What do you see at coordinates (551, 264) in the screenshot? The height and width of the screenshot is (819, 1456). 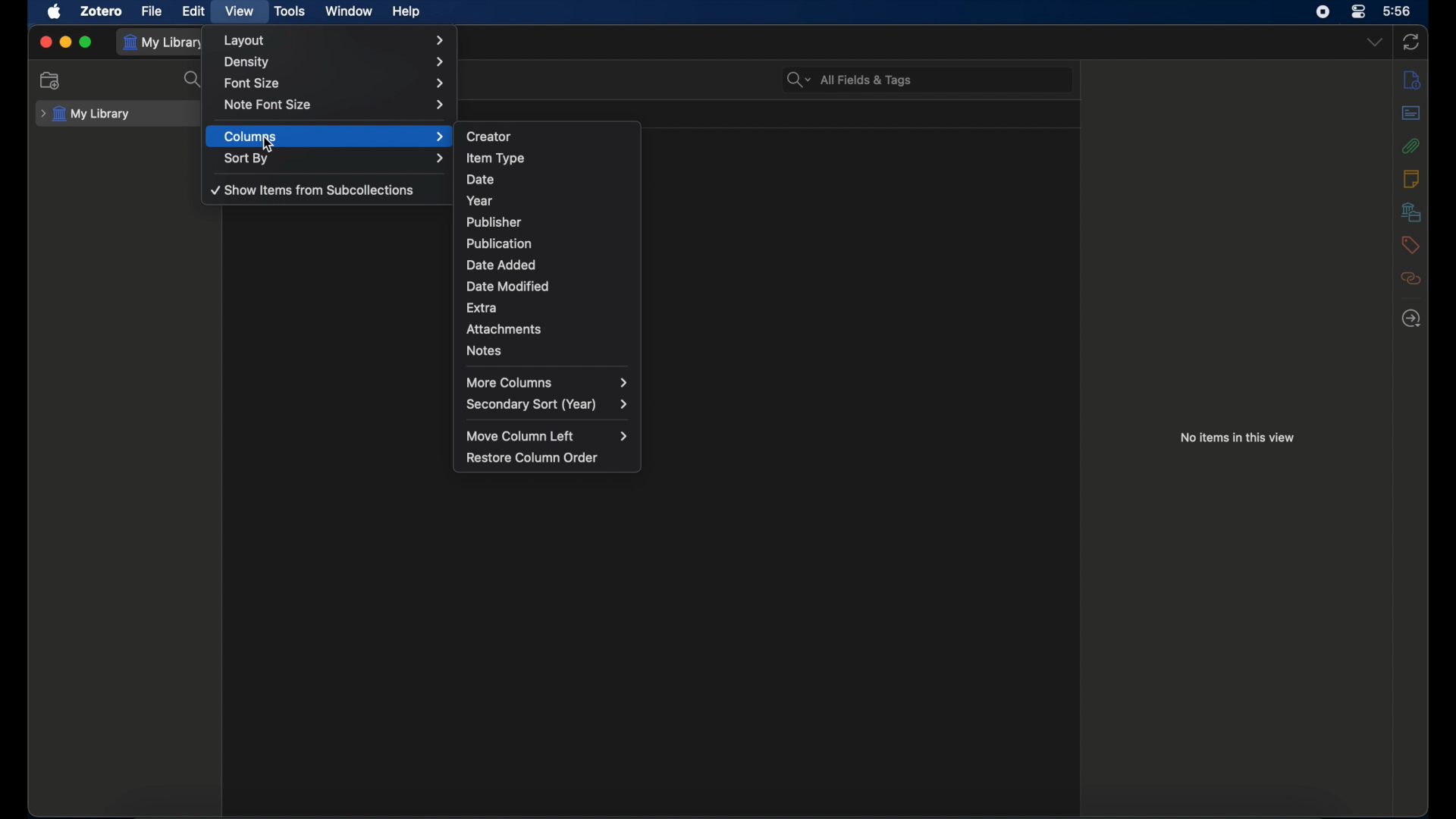 I see `date added` at bounding box center [551, 264].